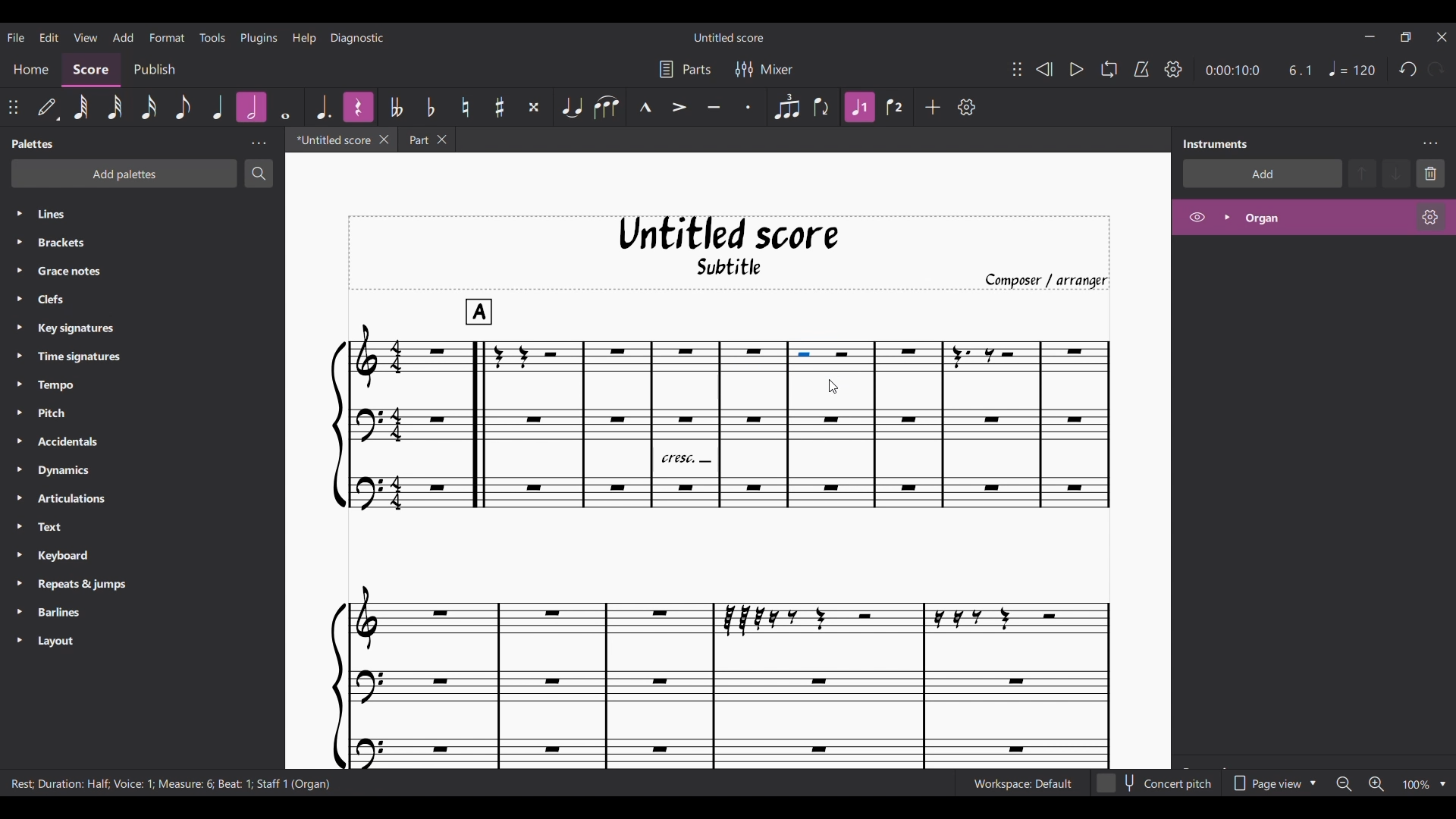 This screenshot has height=819, width=1456. I want to click on Page view options, so click(1272, 783).